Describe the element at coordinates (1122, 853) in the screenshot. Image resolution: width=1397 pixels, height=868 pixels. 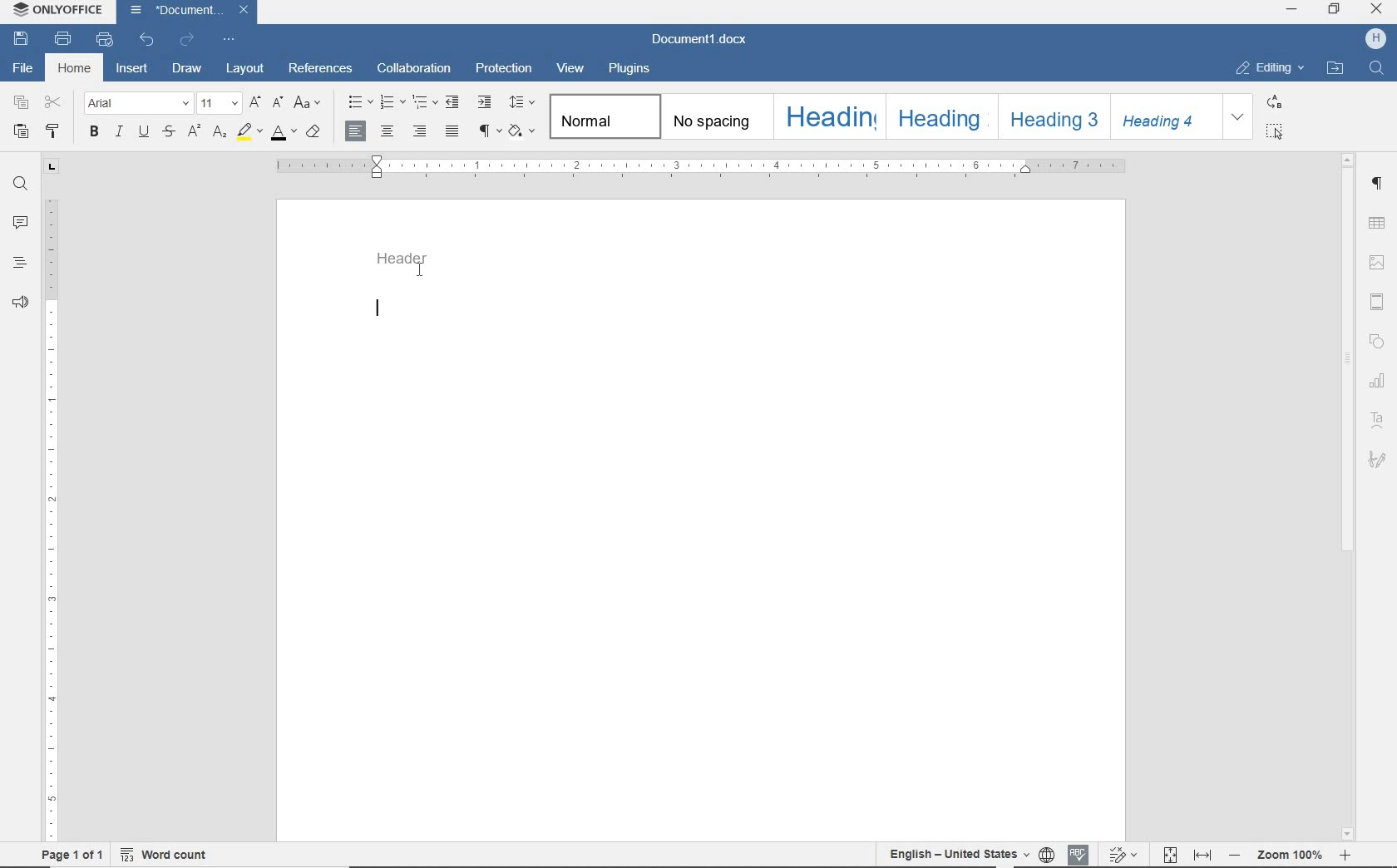
I see `track changes` at that location.